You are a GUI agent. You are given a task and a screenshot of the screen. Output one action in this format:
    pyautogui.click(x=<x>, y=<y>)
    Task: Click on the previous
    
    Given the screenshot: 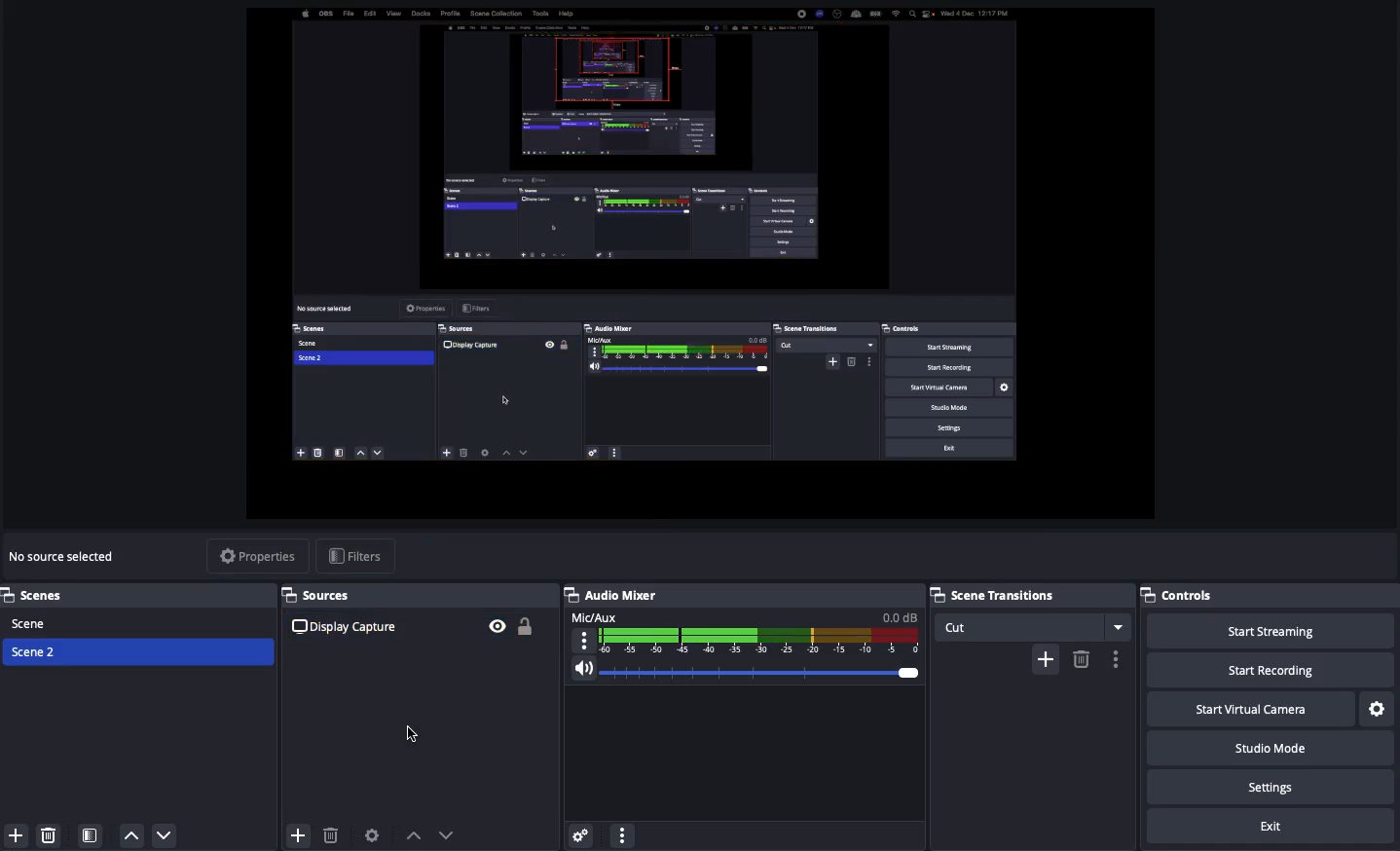 What is the action you would take?
    pyautogui.click(x=415, y=838)
    